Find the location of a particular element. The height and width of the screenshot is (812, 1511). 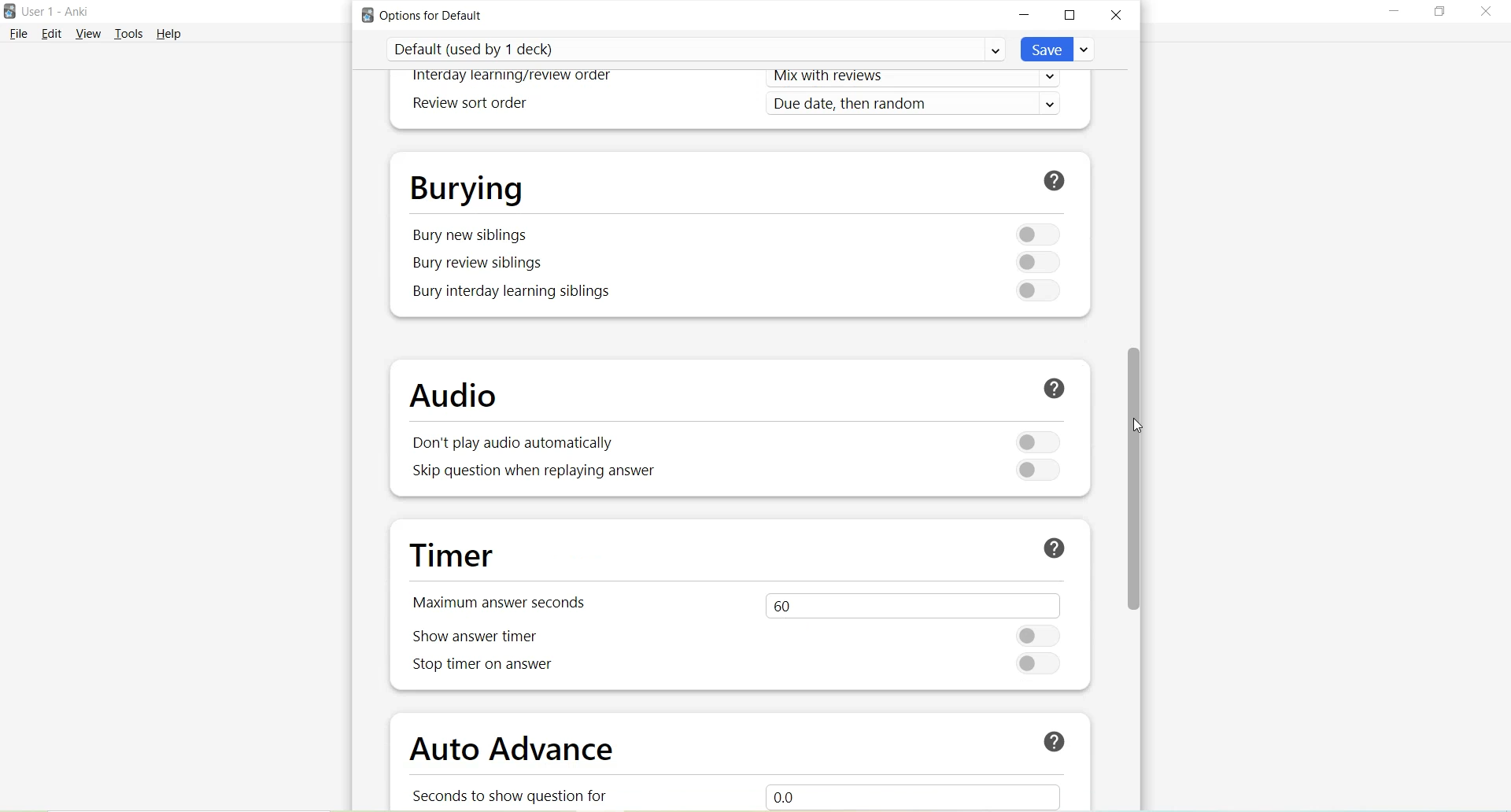

Close is located at coordinates (1484, 14).